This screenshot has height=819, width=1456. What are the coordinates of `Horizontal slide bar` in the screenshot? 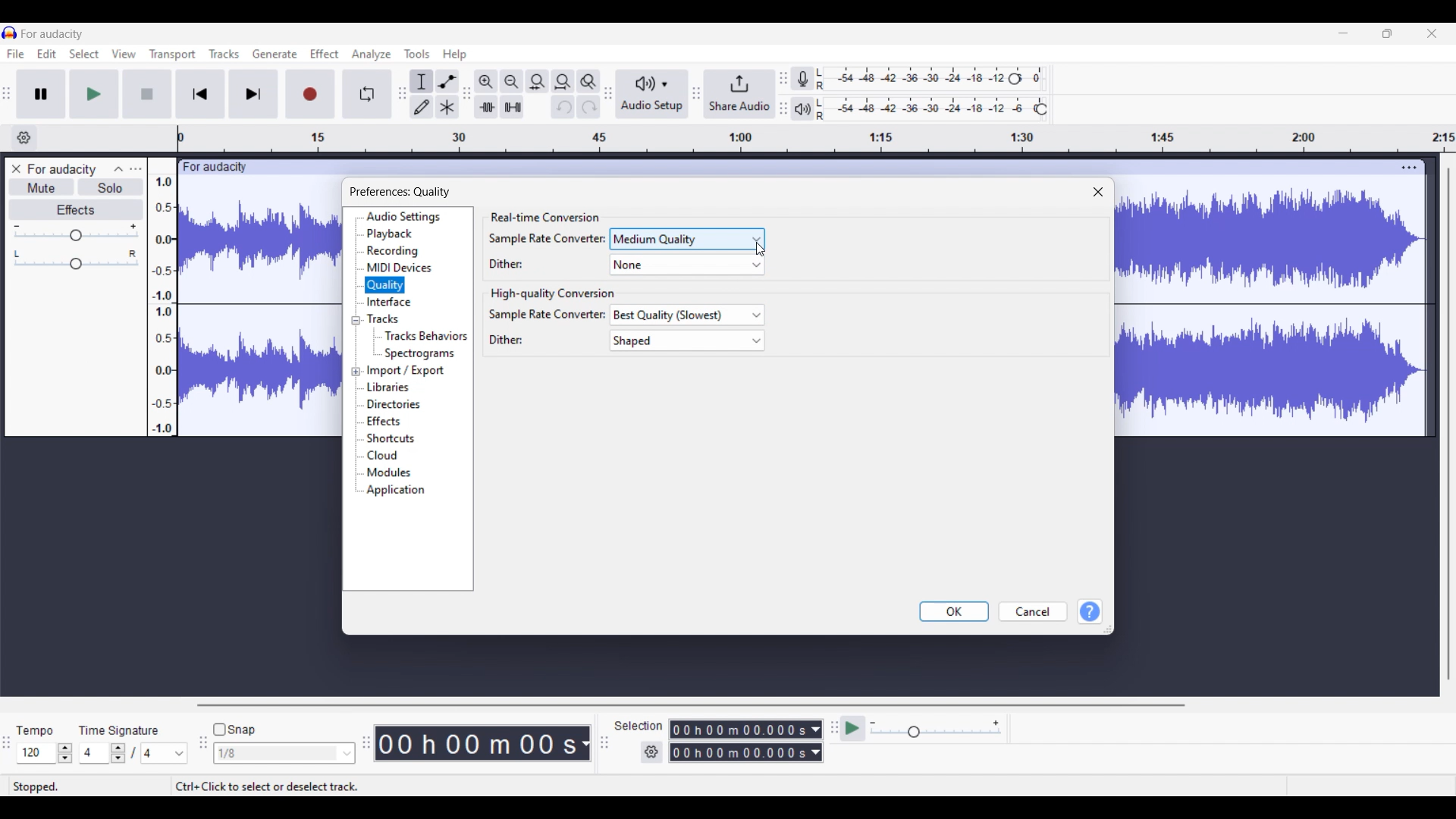 It's located at (691, 705).